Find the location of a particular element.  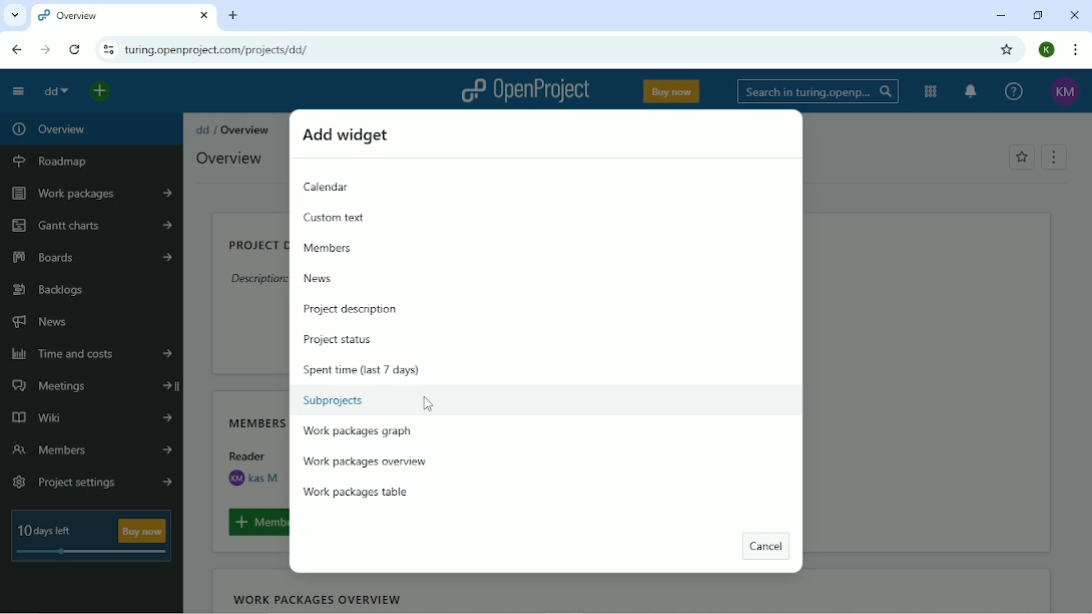

Roadmap is located at coordinates (55, 159).